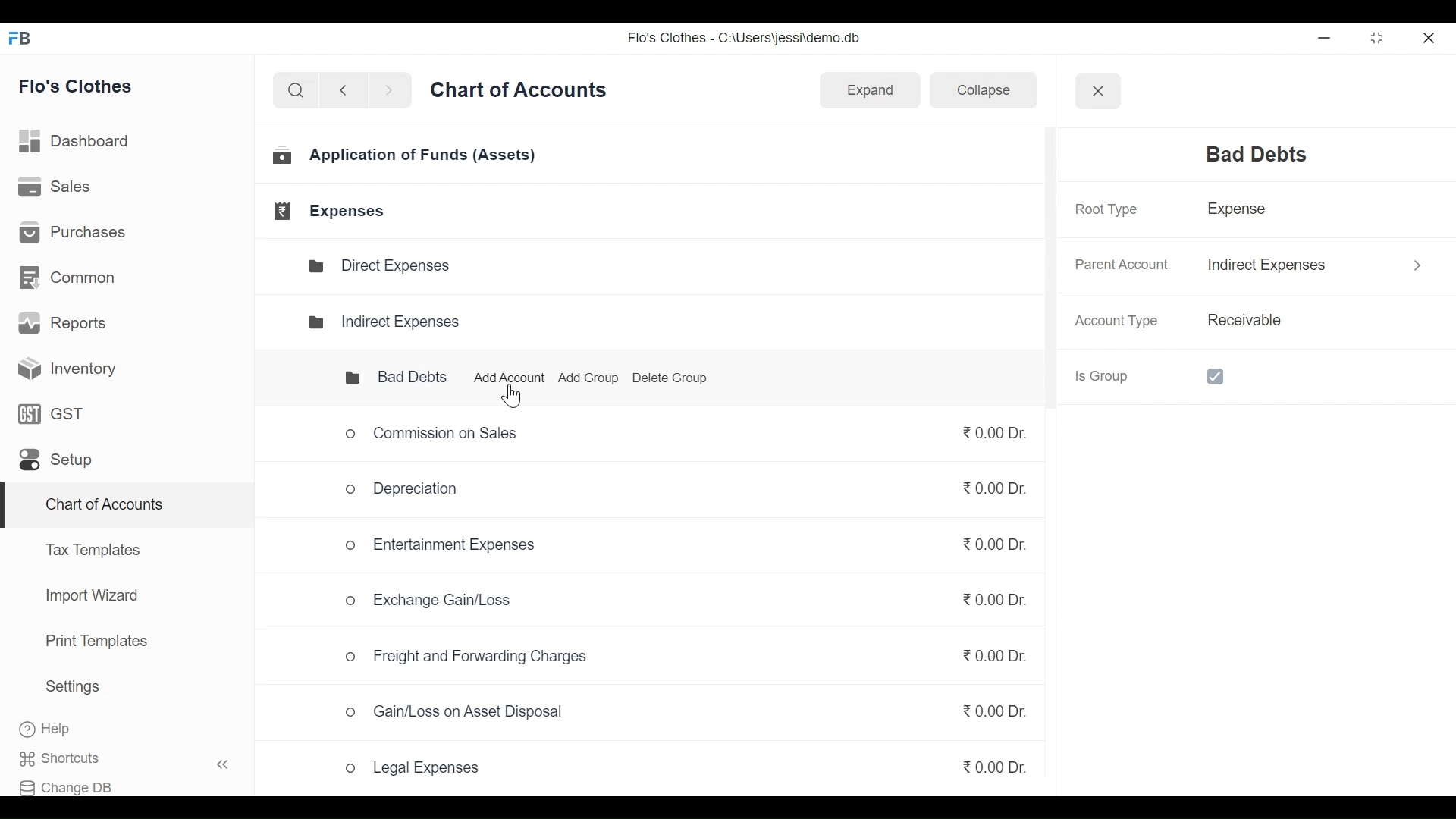 The width and height of the screenshot is (1456, 819). I want to click on Shortcuts, so click(133, 758).